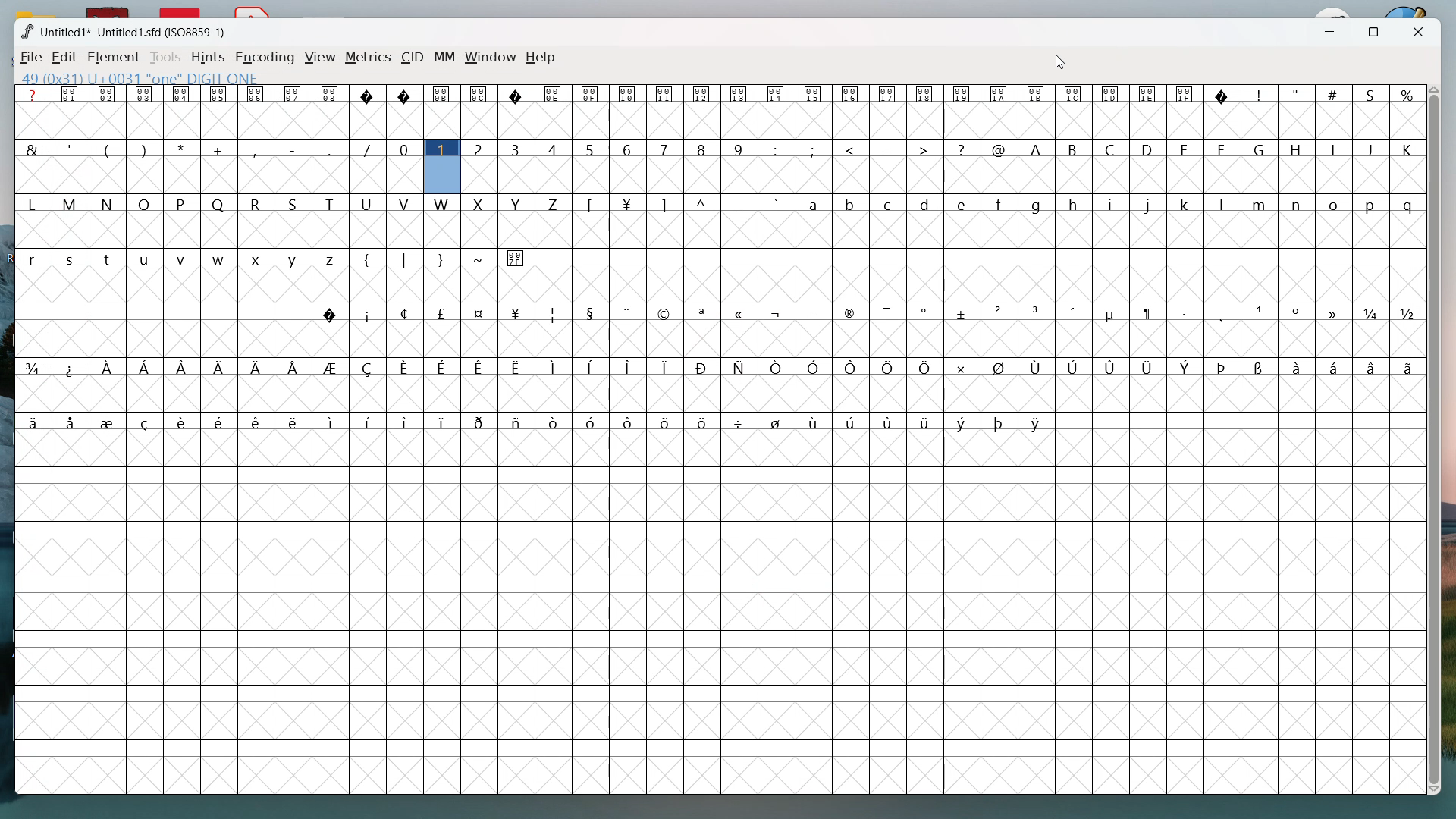 This screenshot has width=1456, height=819. What do you see at coordinates (591, 94) in the screenshot?
I see `symbol` at bounding box center [591, 94].